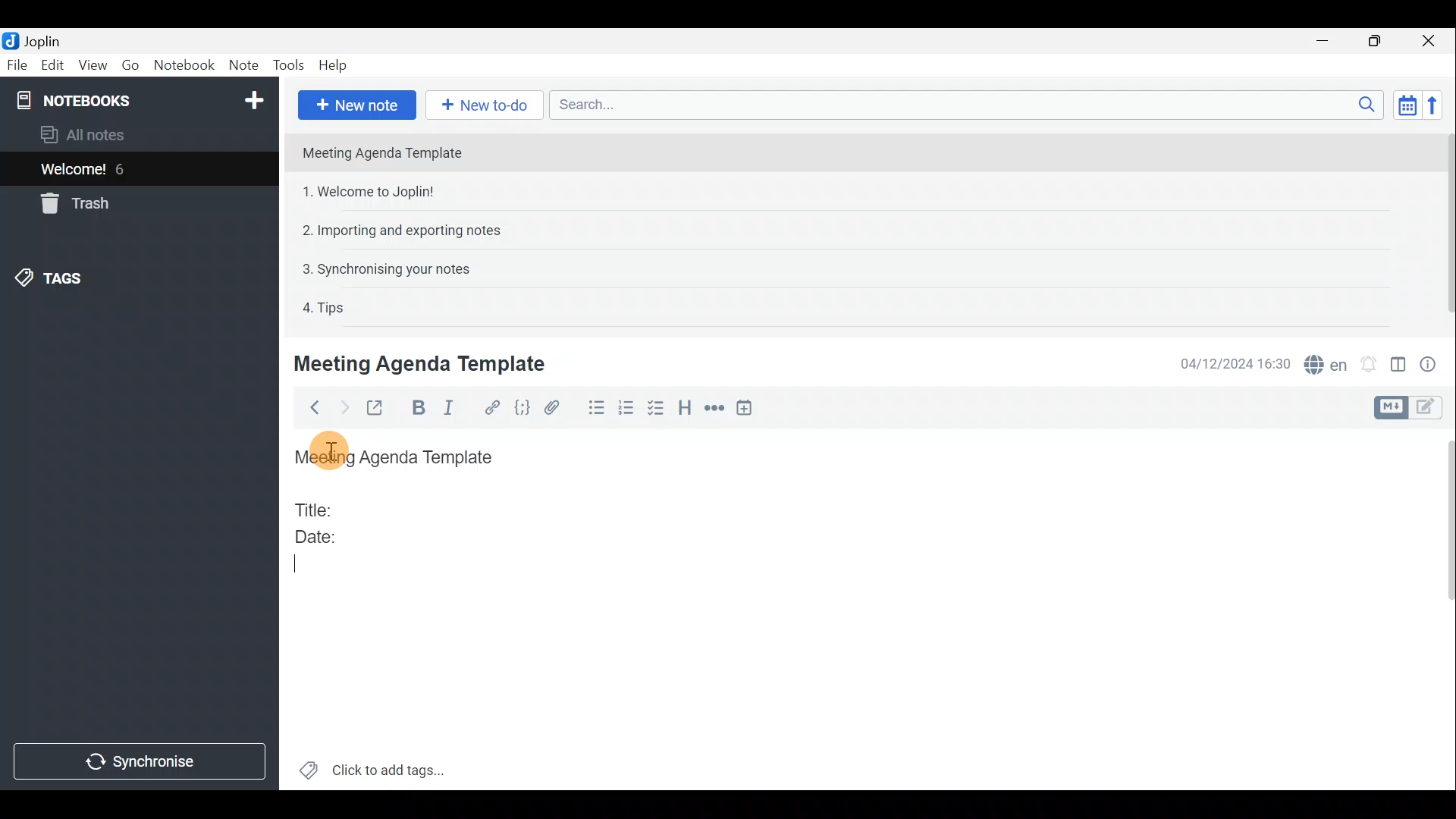 This screenshot has height=819, width=1456. Describe the element at coordinates (1404, 103) in the screenshot. I see `Toggle sort order` at that location.